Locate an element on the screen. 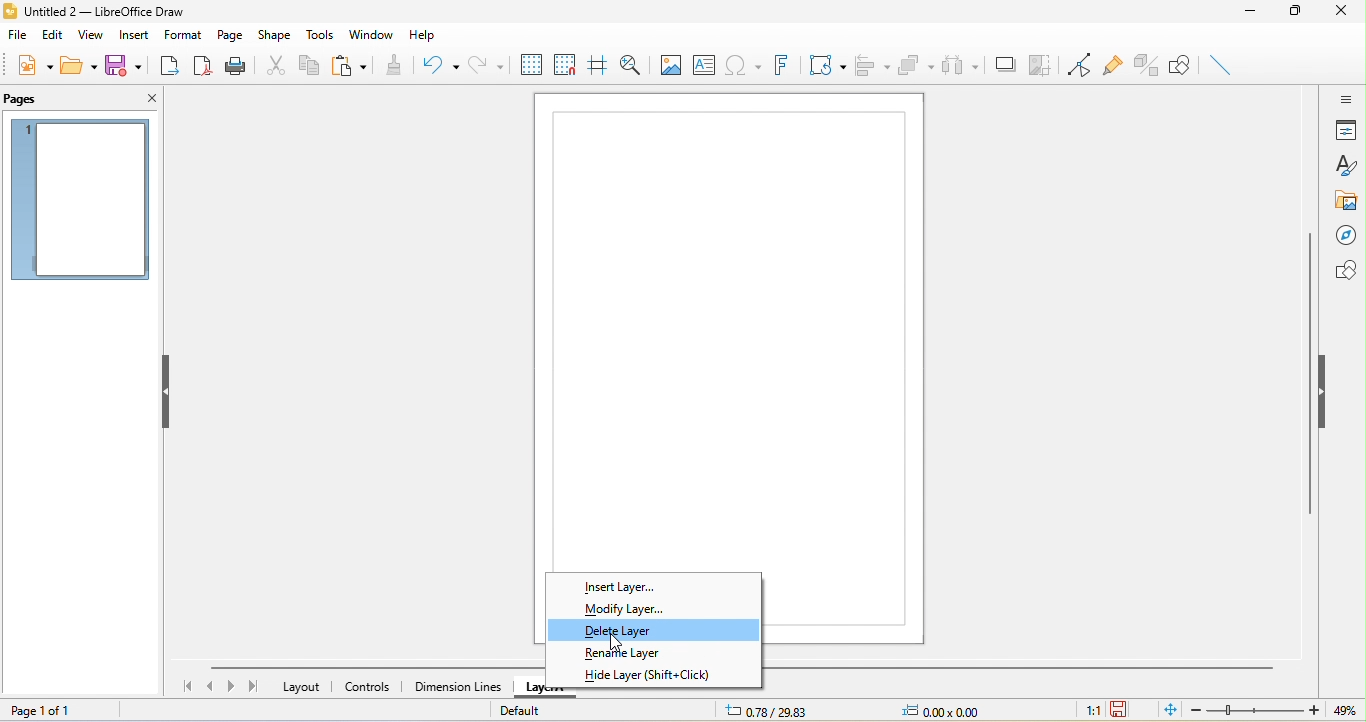 The image size is (1366, 722). shapes is located at coordinates (1342, 269).